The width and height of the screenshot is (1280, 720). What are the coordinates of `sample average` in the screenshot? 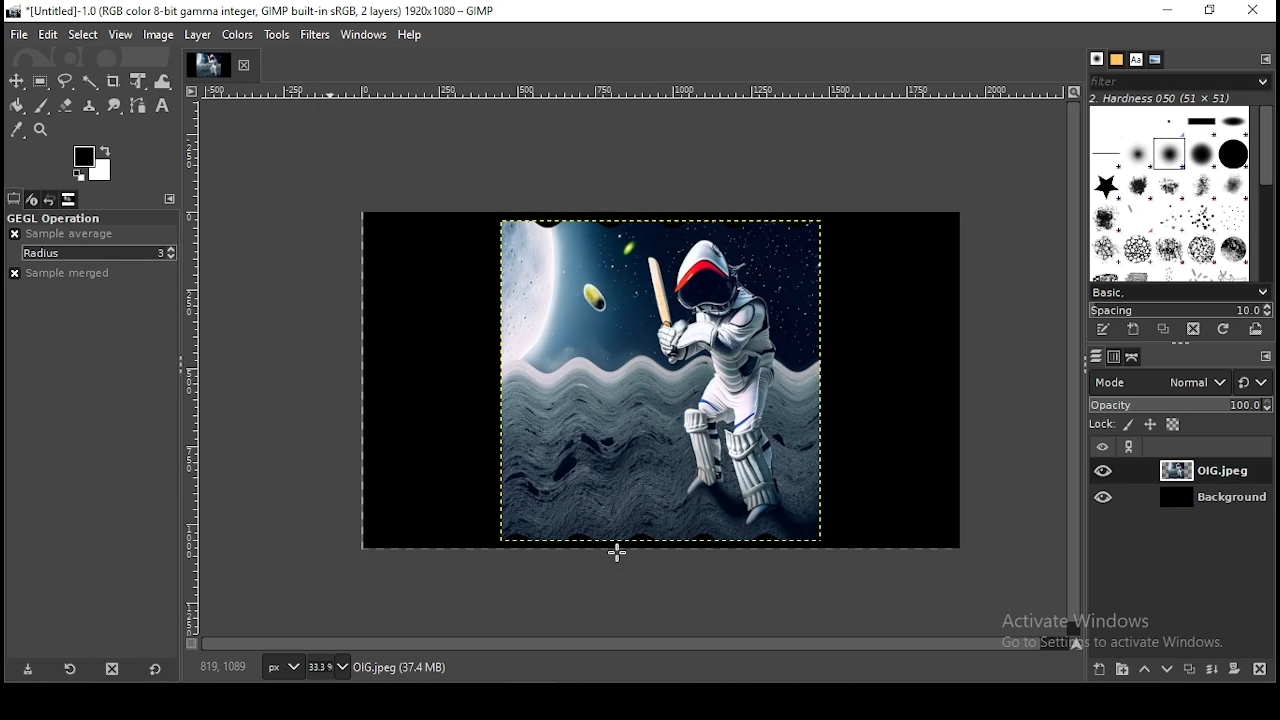 It's located at (64, 234).